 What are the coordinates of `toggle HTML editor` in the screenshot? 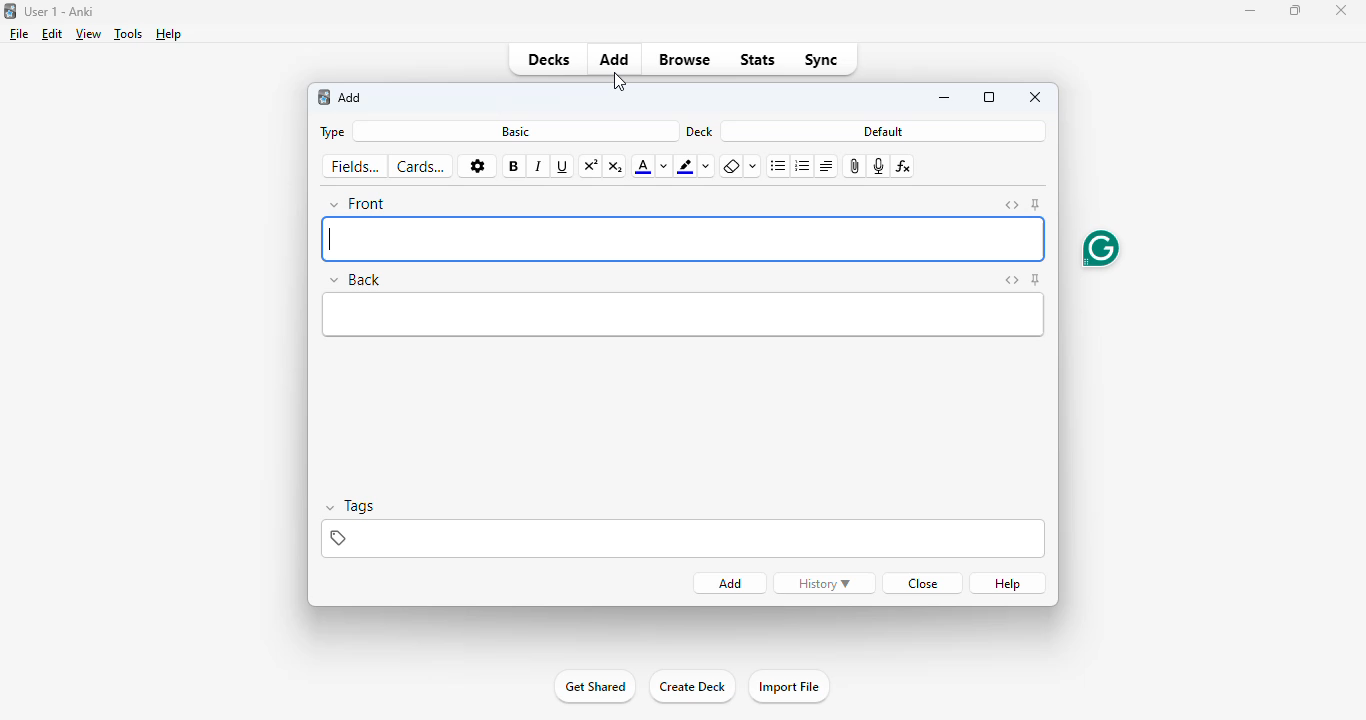 It's located at (1010, 280).